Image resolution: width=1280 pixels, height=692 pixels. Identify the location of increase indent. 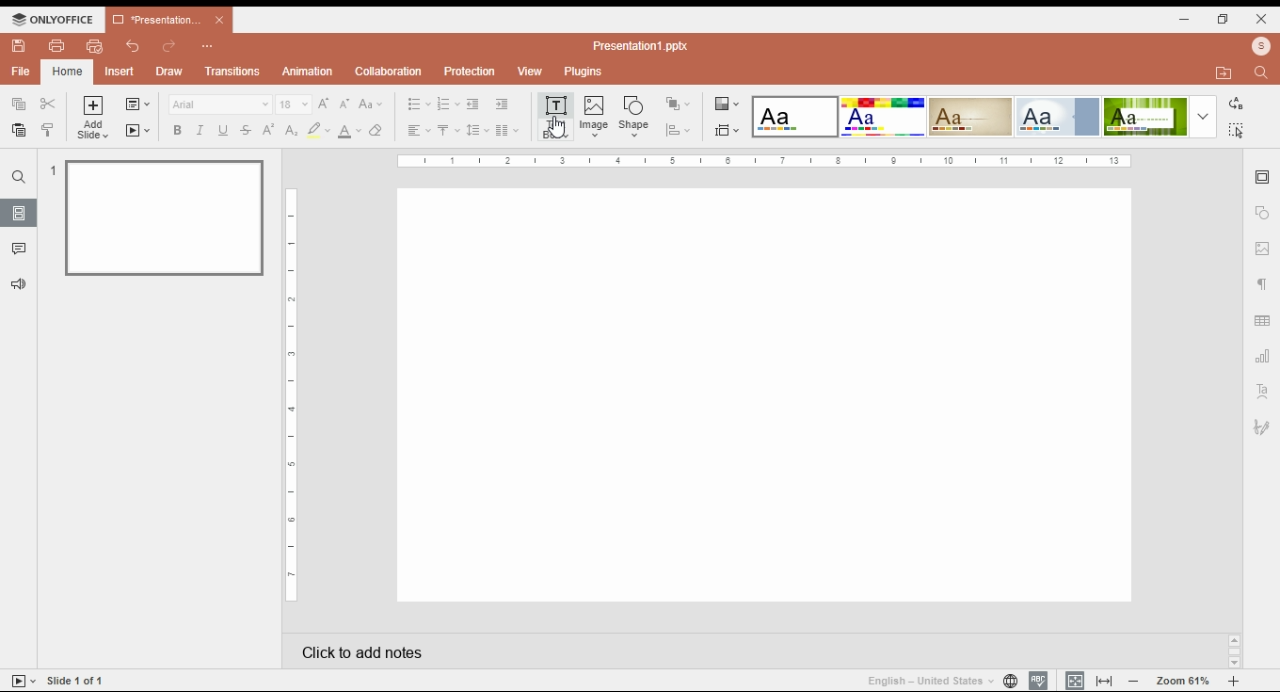
(501, 104).